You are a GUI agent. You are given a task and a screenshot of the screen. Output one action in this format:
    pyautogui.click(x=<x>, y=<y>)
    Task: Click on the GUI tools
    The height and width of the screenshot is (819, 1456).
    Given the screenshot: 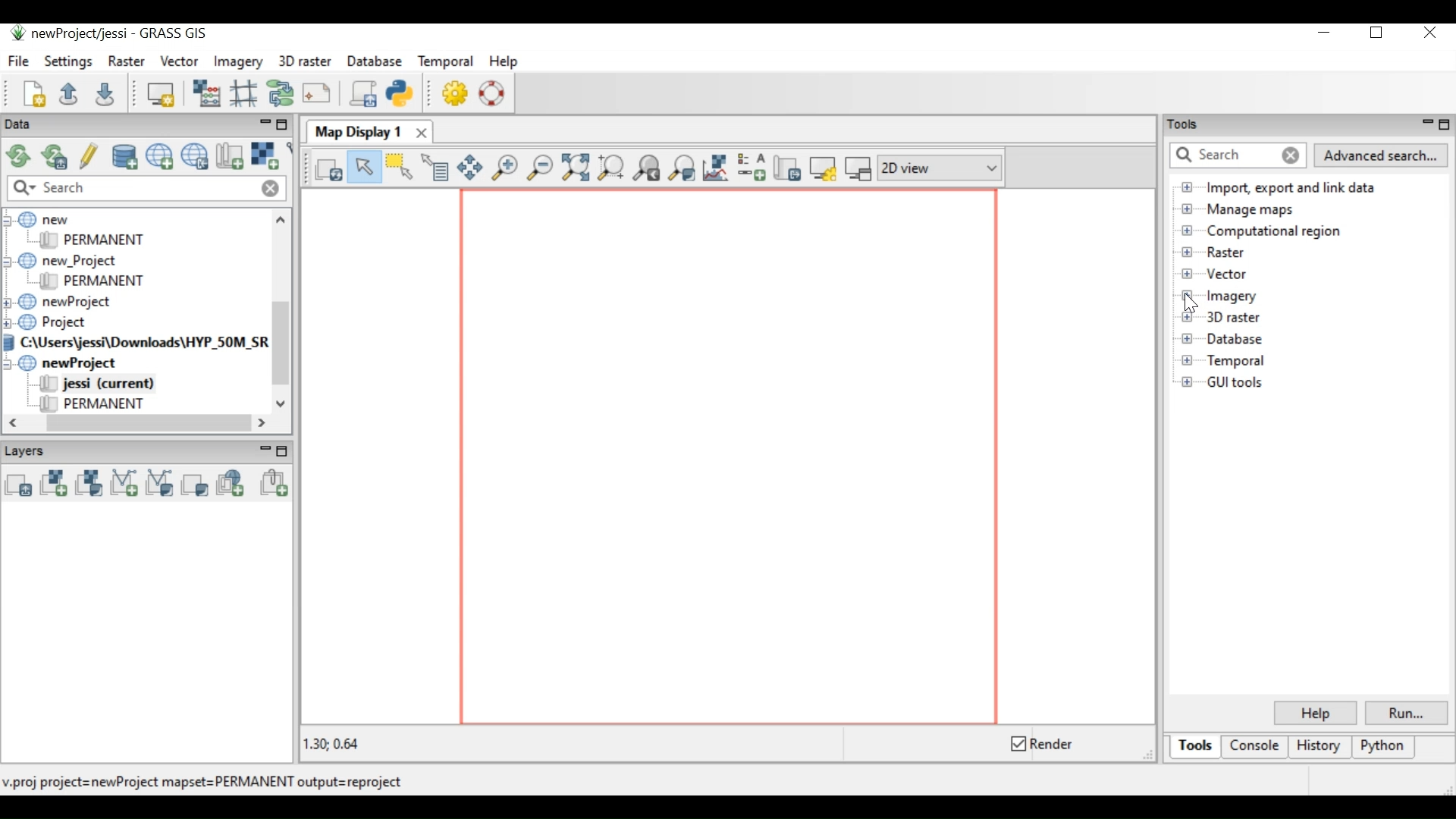 What is the action you would take?
    pyautogui.click(x=1225, y=384)
    